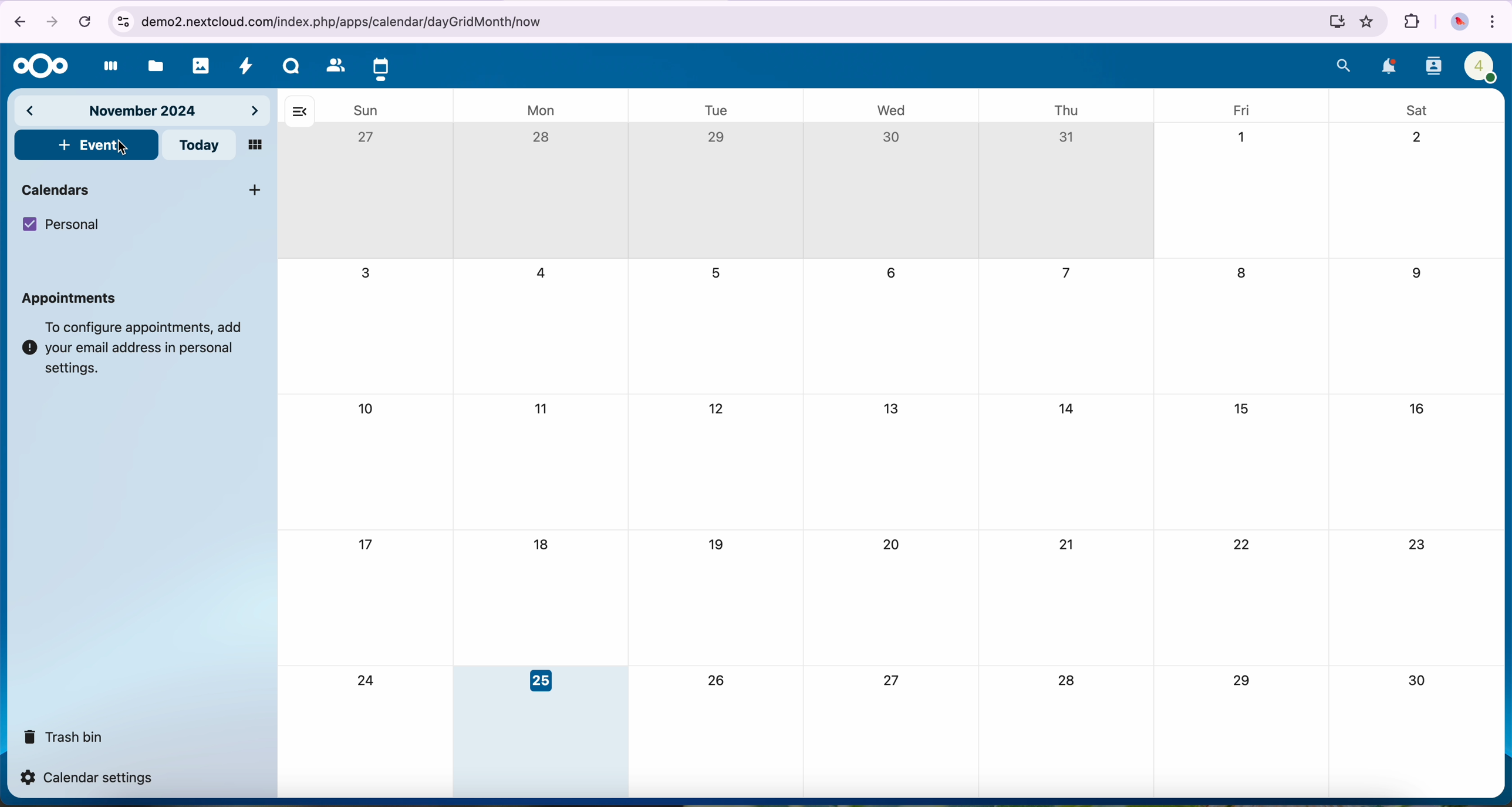 This screenshot has height=807, width=1512. Describe the element at coordinates (1067, 682) in the screenshot. I see `28` at that location.